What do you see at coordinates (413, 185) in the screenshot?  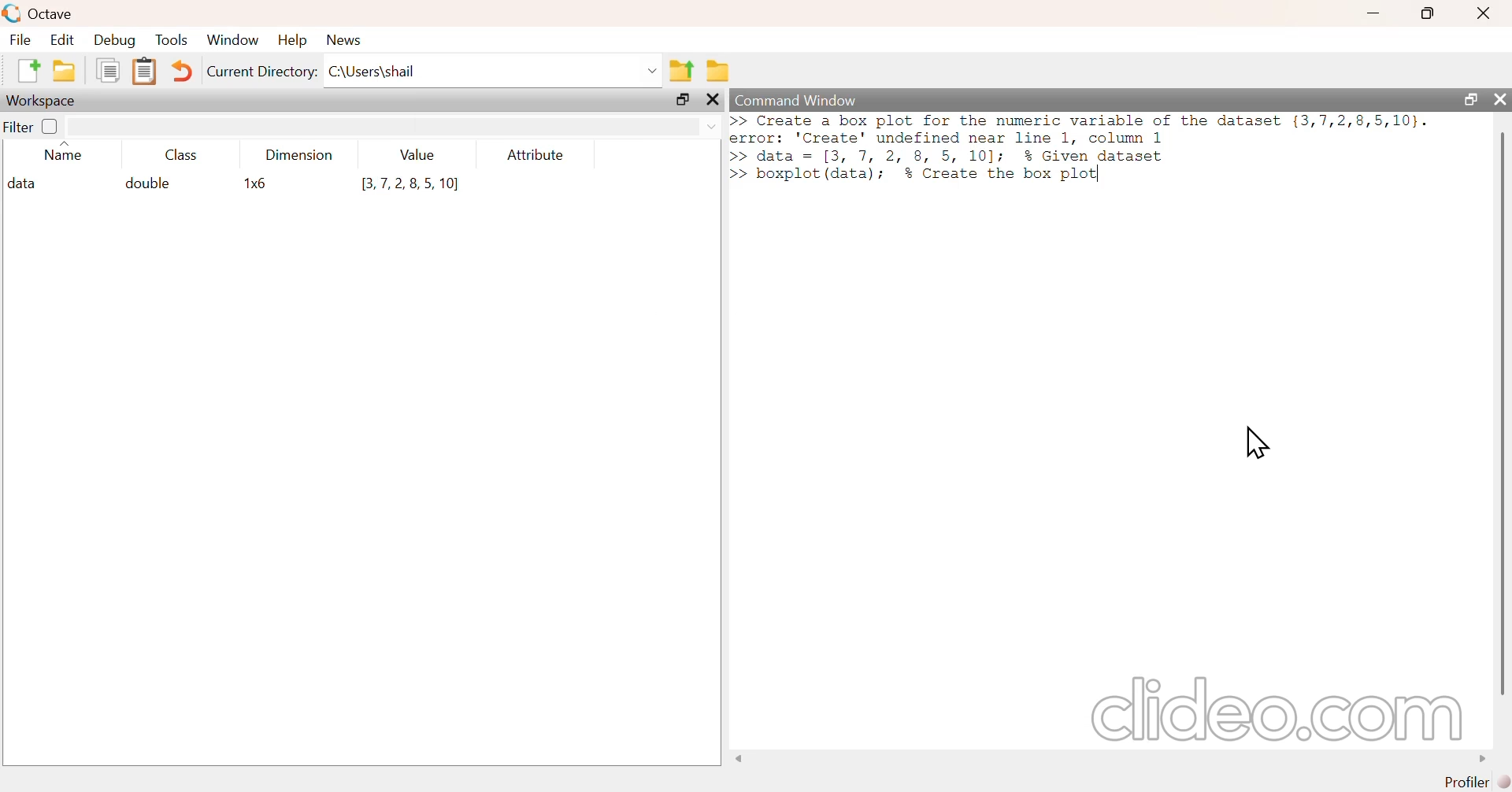 I see `3,7,2,8,510]` at bounding box center [413, 185].